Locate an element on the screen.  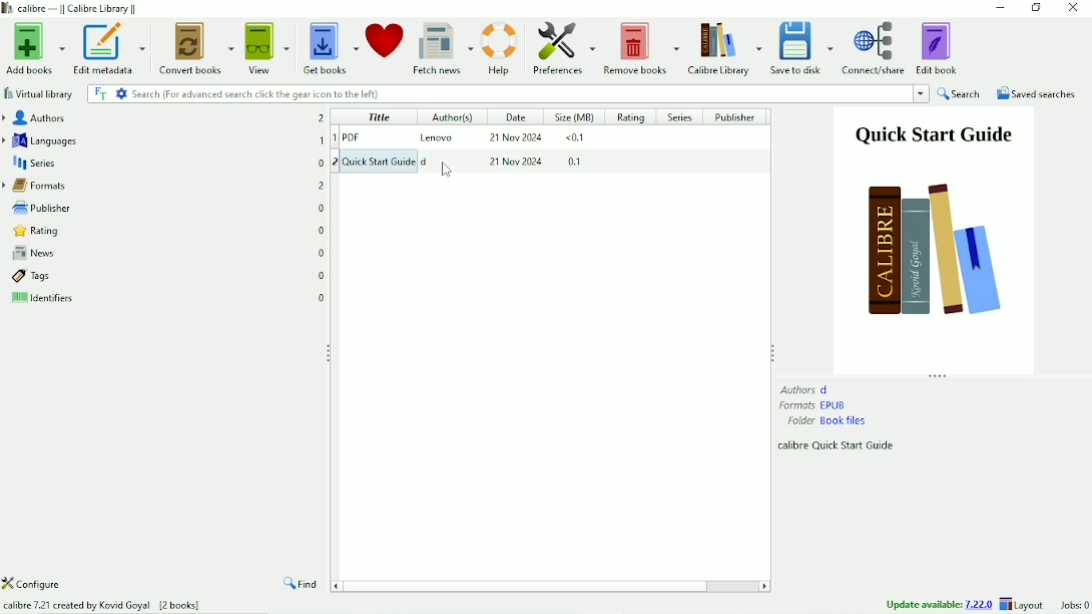
Resize is located at coordinates (772, 351).